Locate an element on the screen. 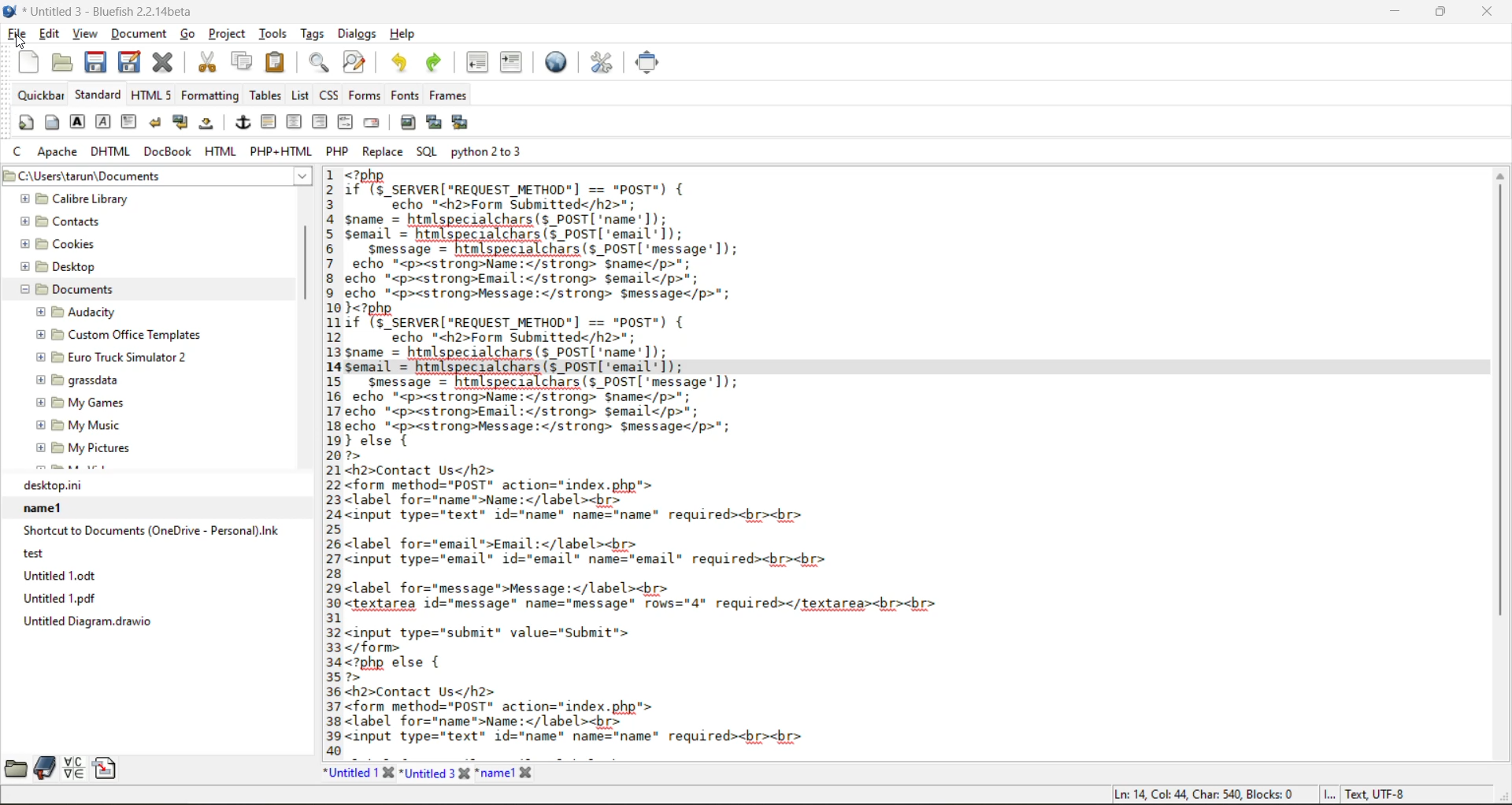 The image size is (1512, 805). line number is located at coordinates (328, 462).